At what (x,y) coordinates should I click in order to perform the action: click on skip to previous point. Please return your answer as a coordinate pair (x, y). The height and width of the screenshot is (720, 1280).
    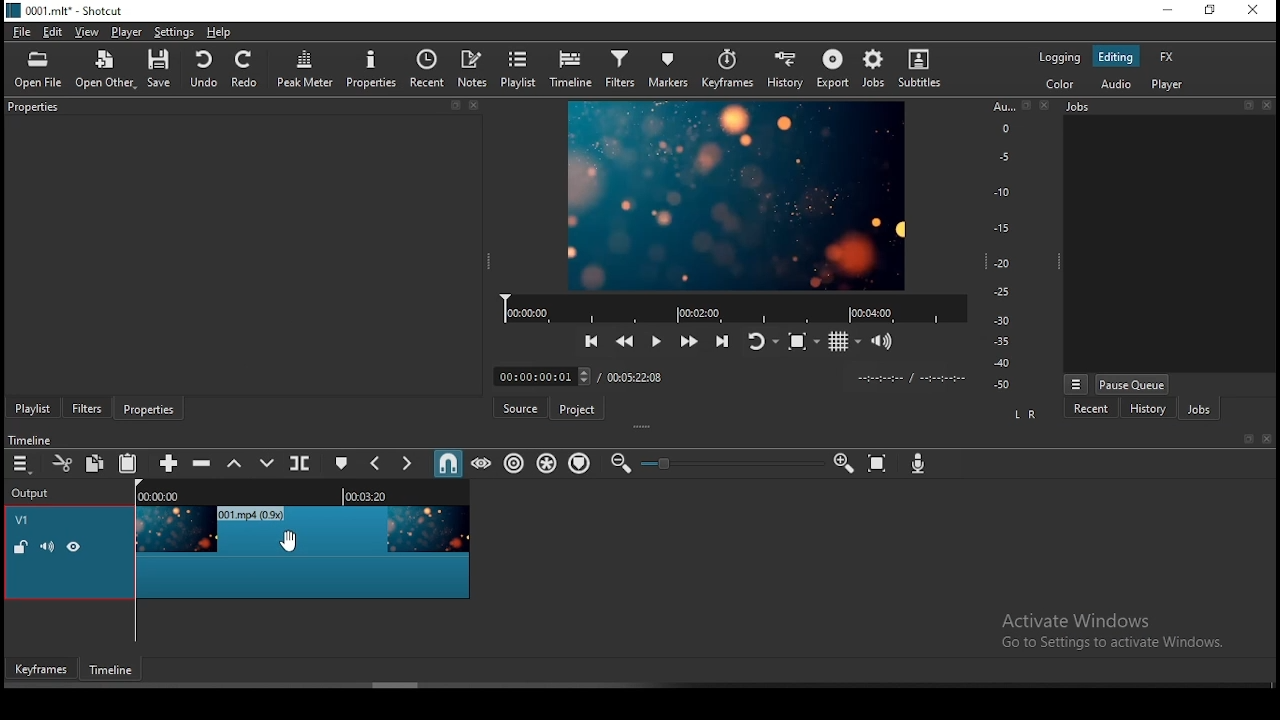
    Looking at the image, I should click on (592, 340).